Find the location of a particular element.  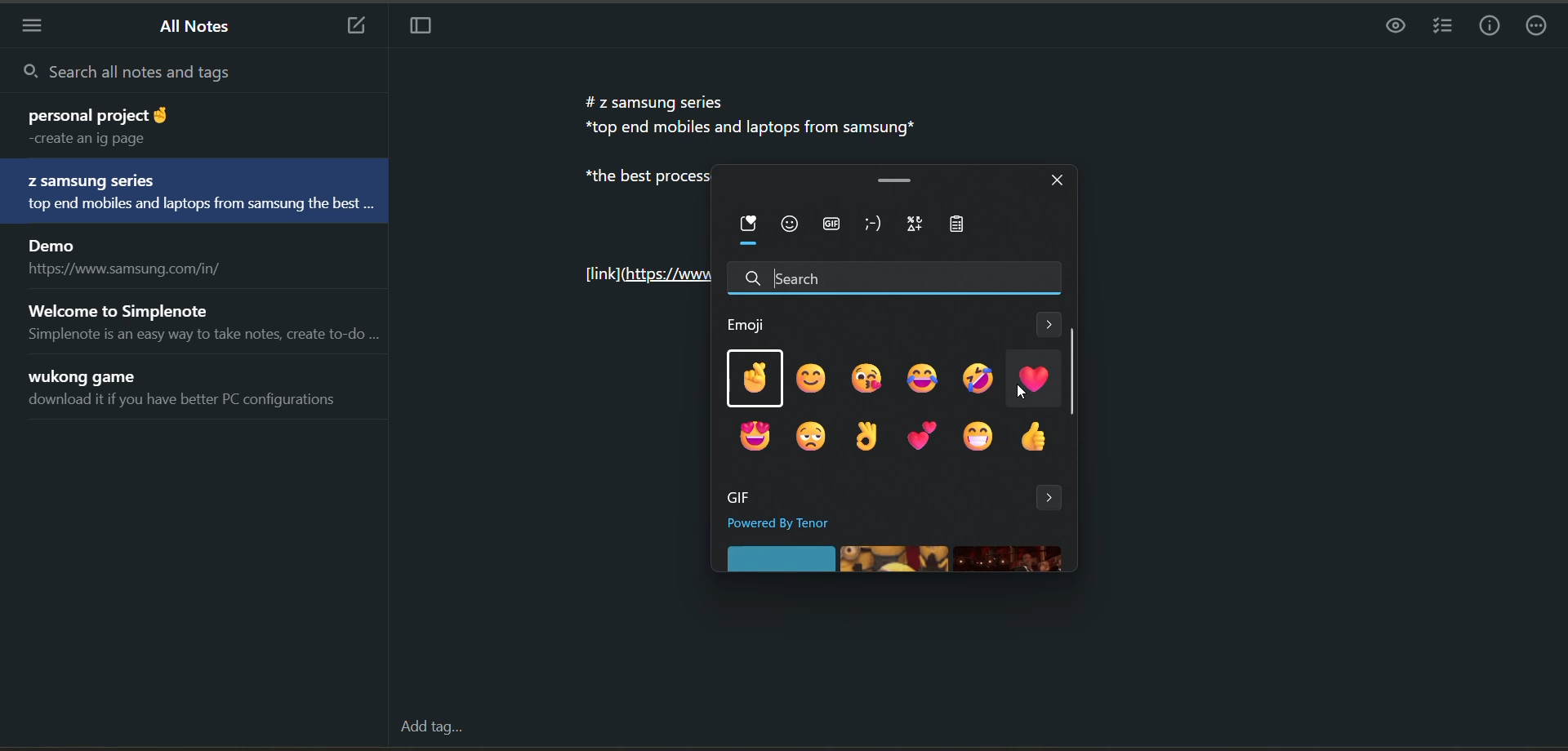

gif is located at coordinates (895, 559).